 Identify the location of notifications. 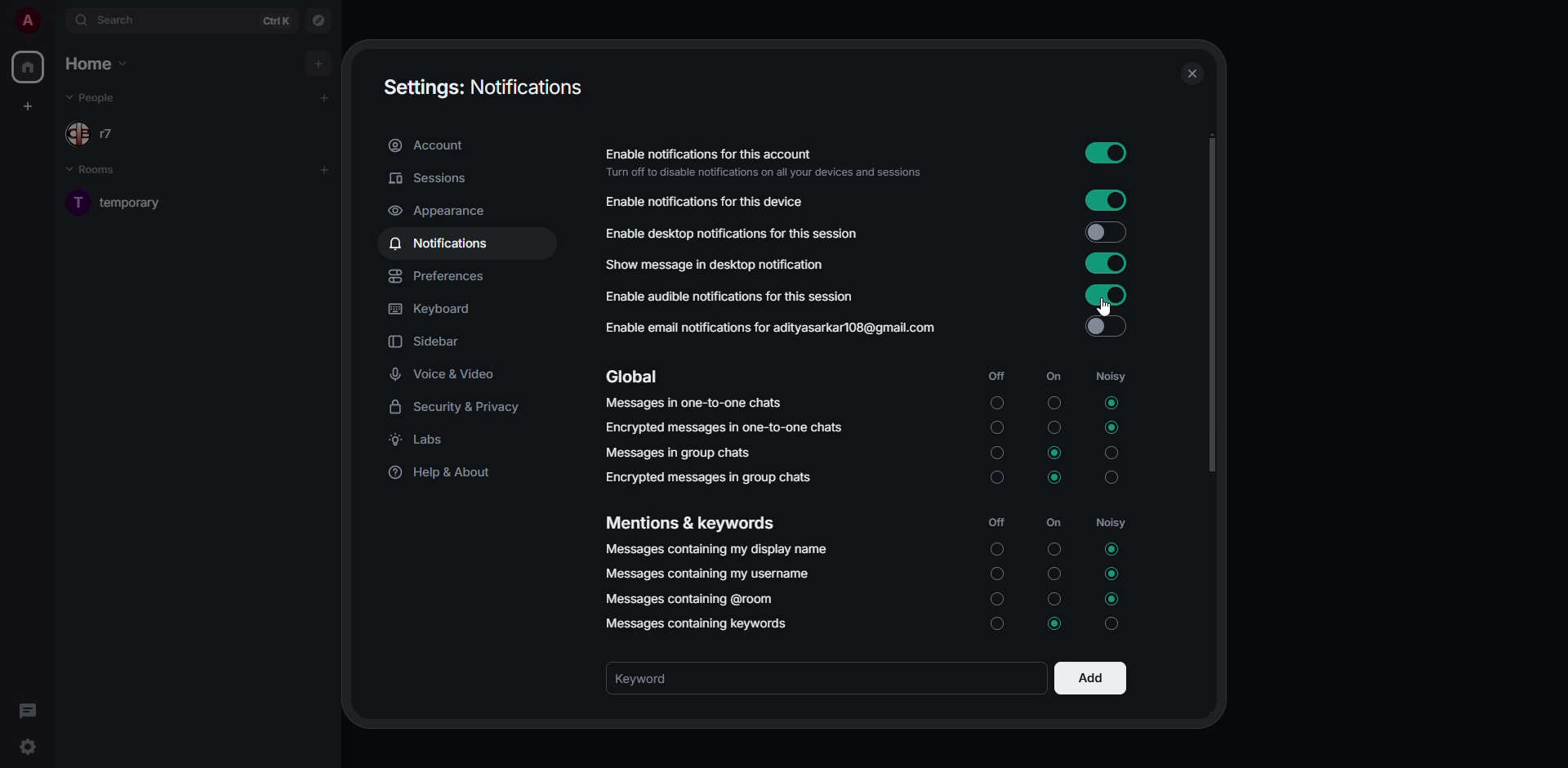
(439, 244).